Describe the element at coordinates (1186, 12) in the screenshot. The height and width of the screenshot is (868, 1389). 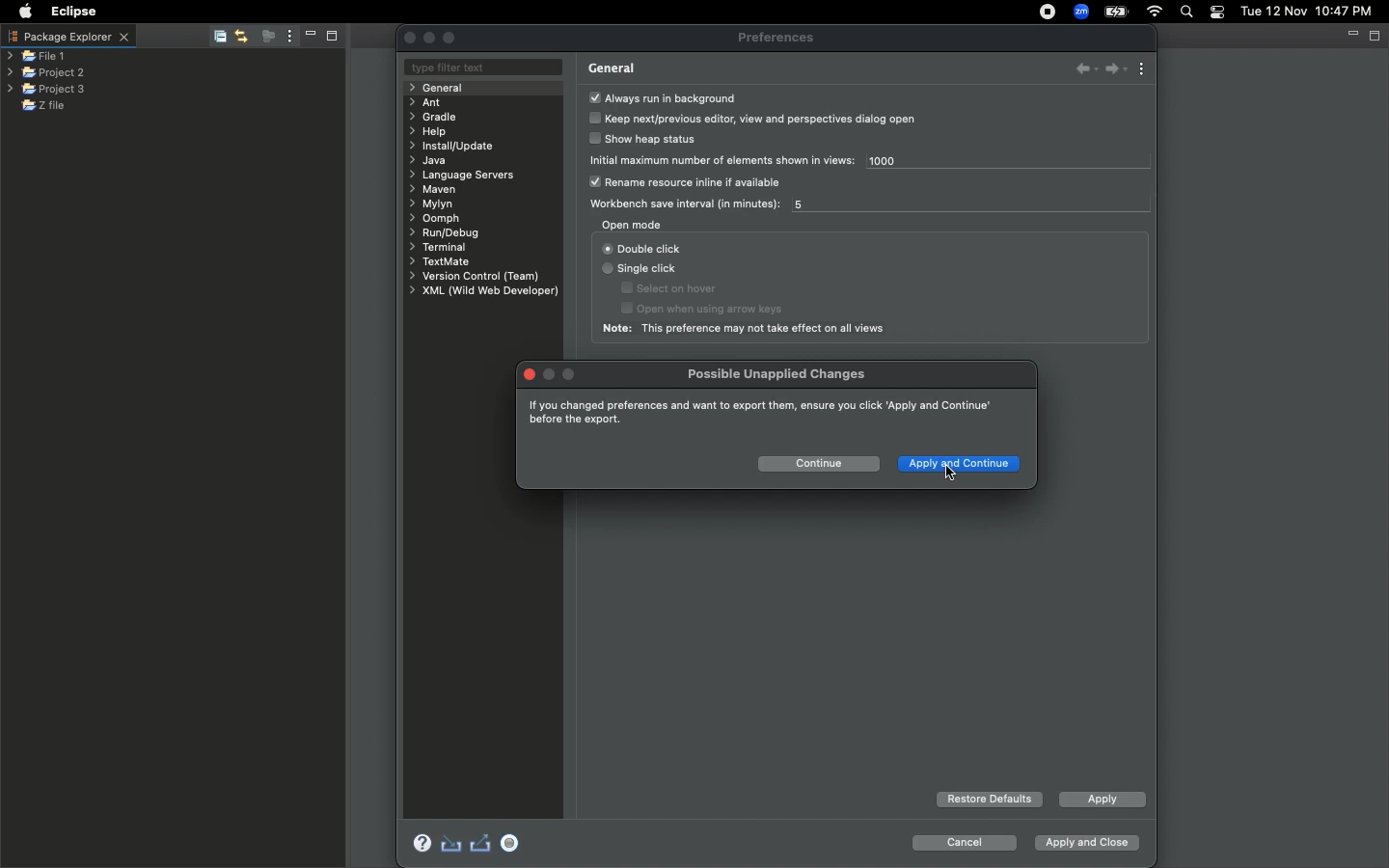
I see `Search` at that location.